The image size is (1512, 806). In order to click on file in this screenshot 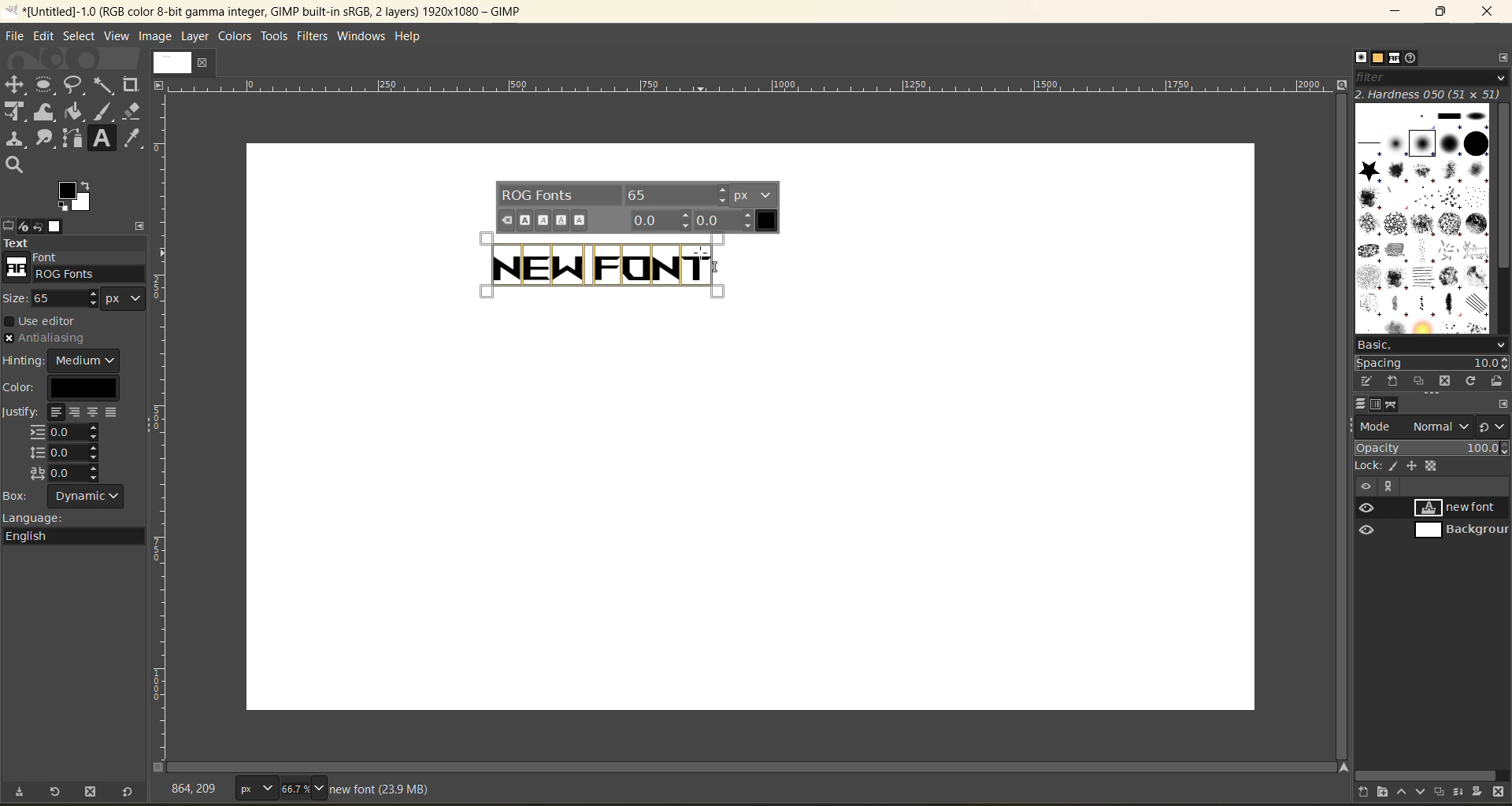, I will do `click(17, 33)`.